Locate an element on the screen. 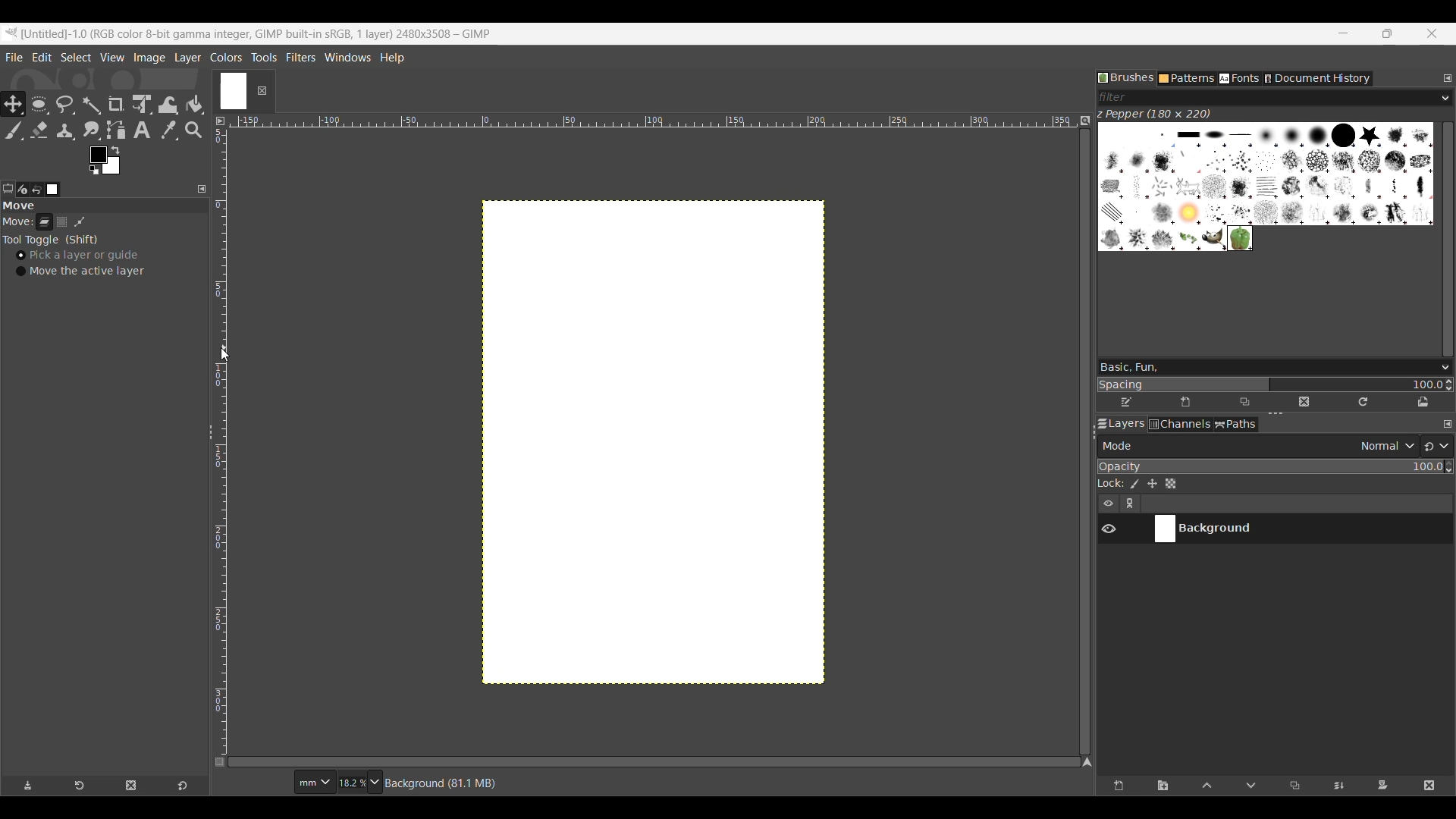  Paths tool is located at coordinates (117, 130).